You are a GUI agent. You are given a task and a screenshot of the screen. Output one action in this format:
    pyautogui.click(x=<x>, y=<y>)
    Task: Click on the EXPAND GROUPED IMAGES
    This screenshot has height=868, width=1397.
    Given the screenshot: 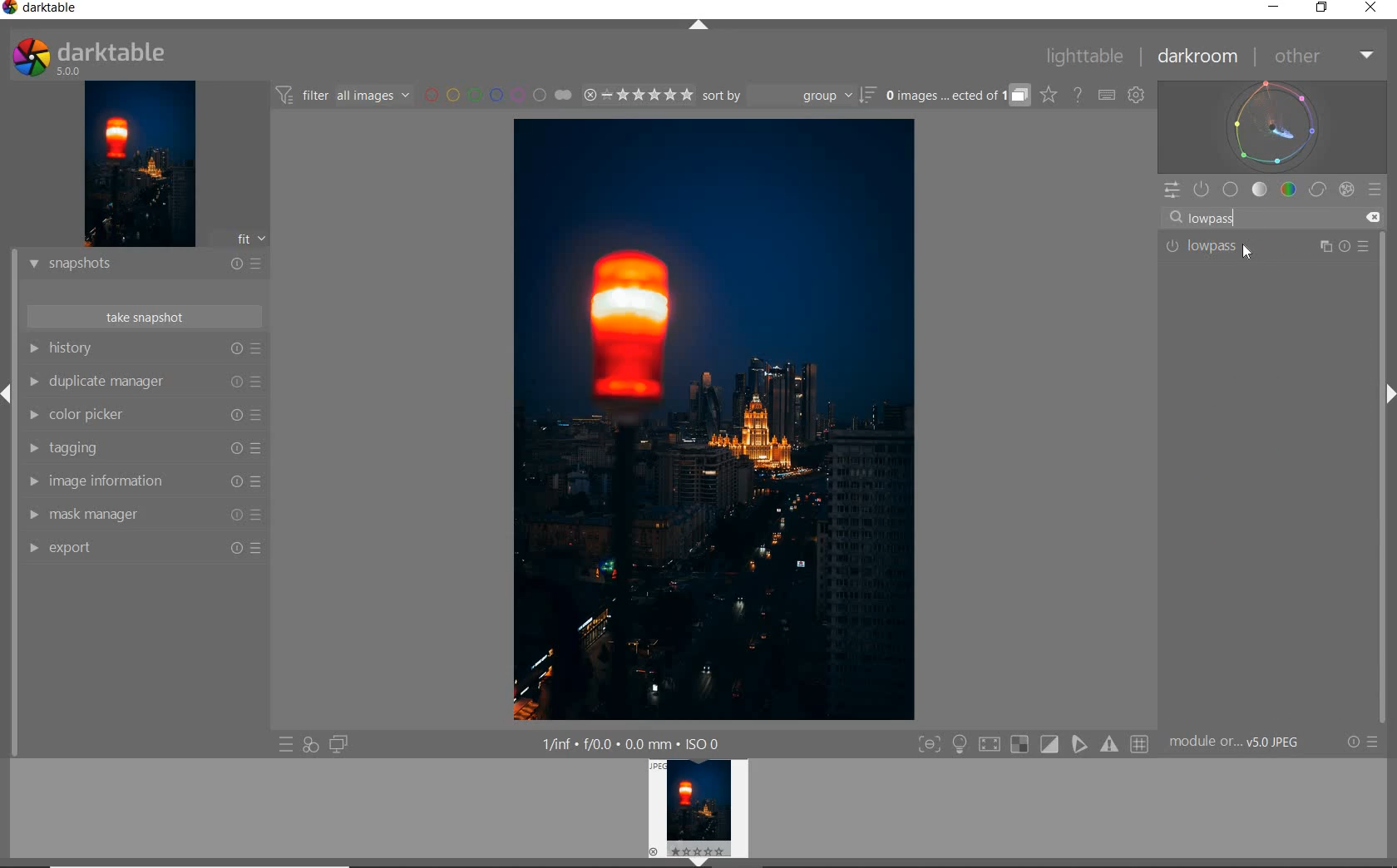 What is the action you would take?
    pyautogui.click(x=955, y=96)
    